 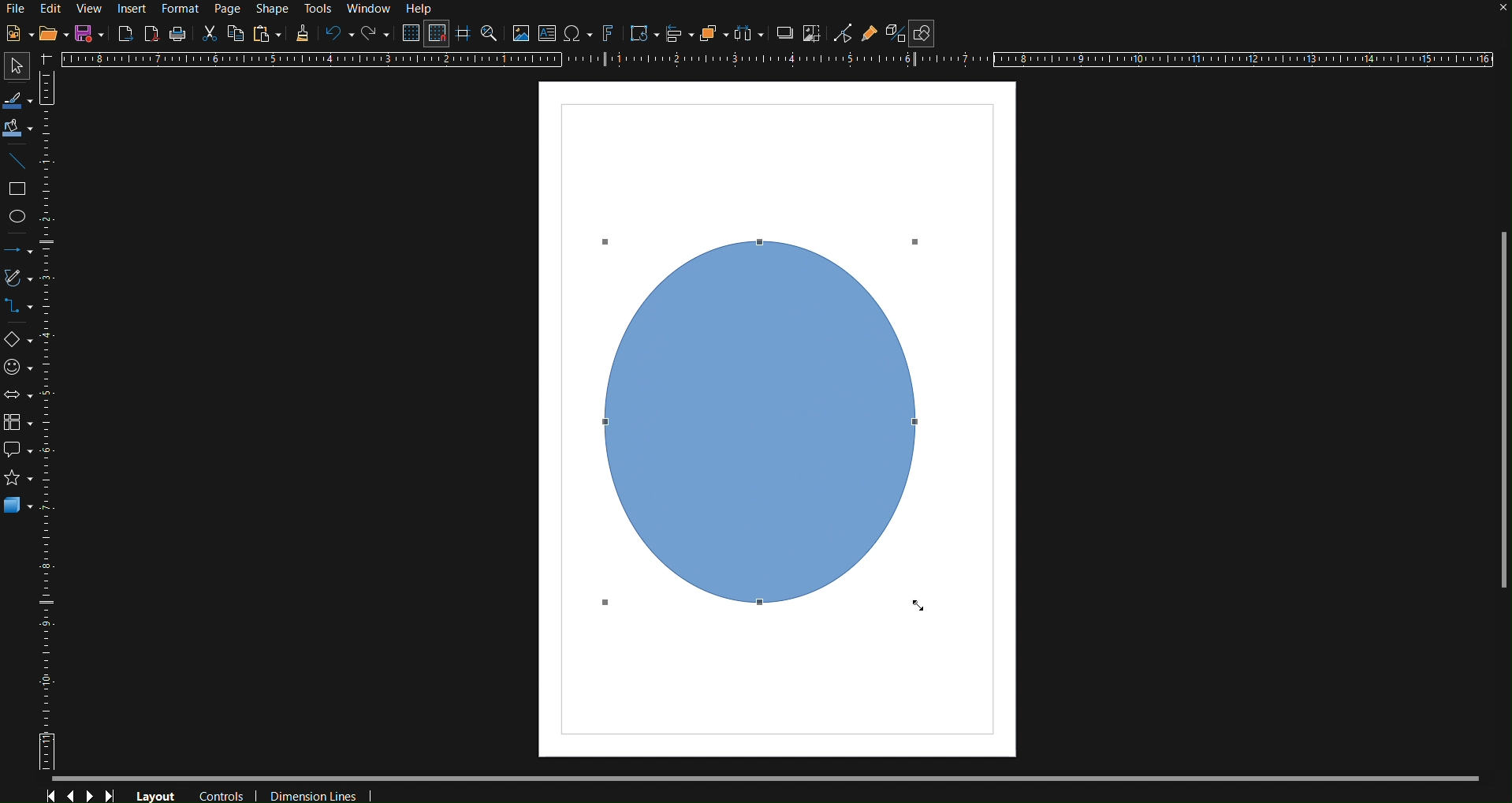 I want to click on Format, so click(x=182, y=9).